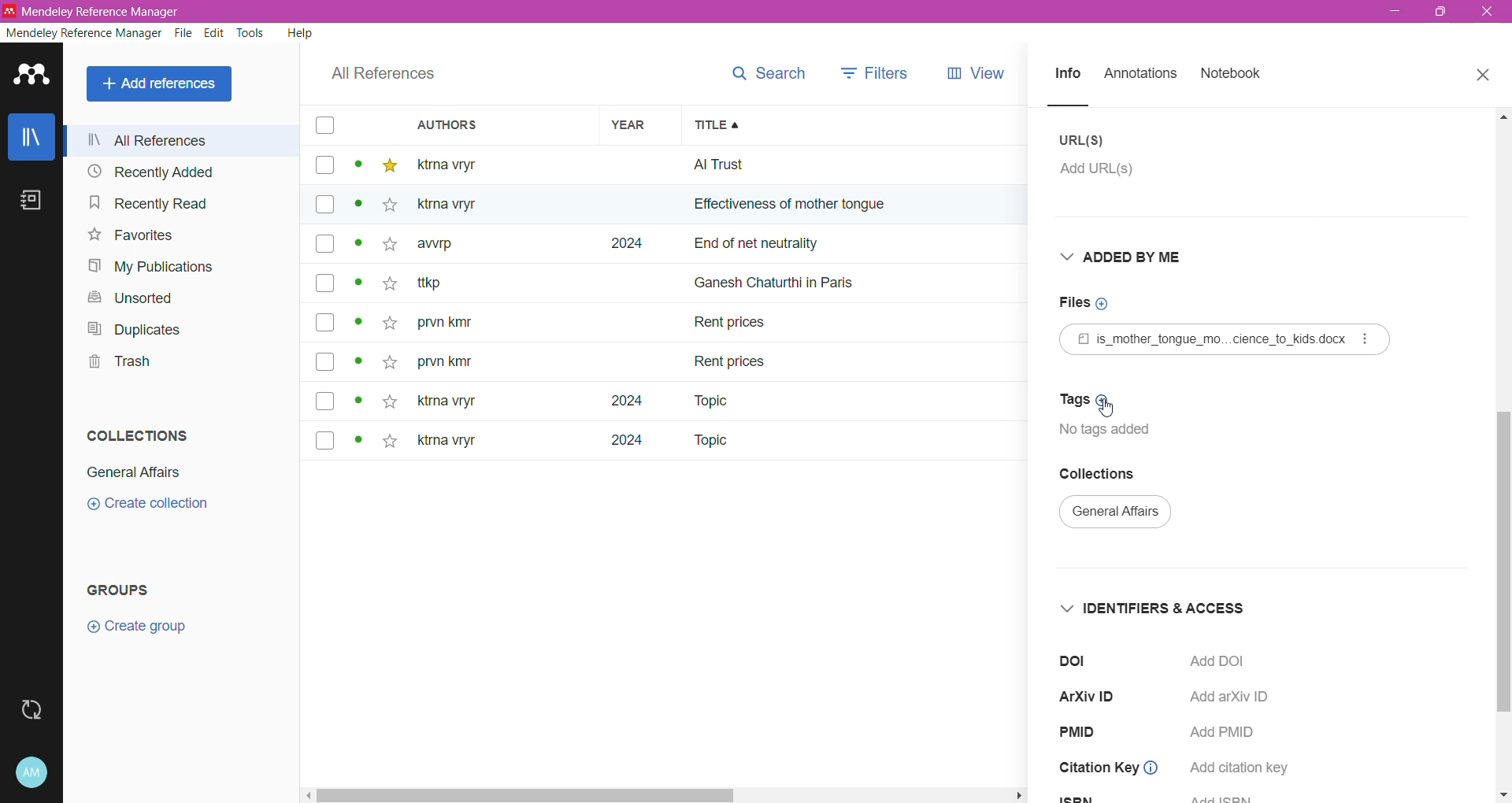 The width and height of the screenshot is (1512, 803). What do you see at coordinates (358, 248) in the screenshot?
I see `dot ` at bounding box center [358, 248].